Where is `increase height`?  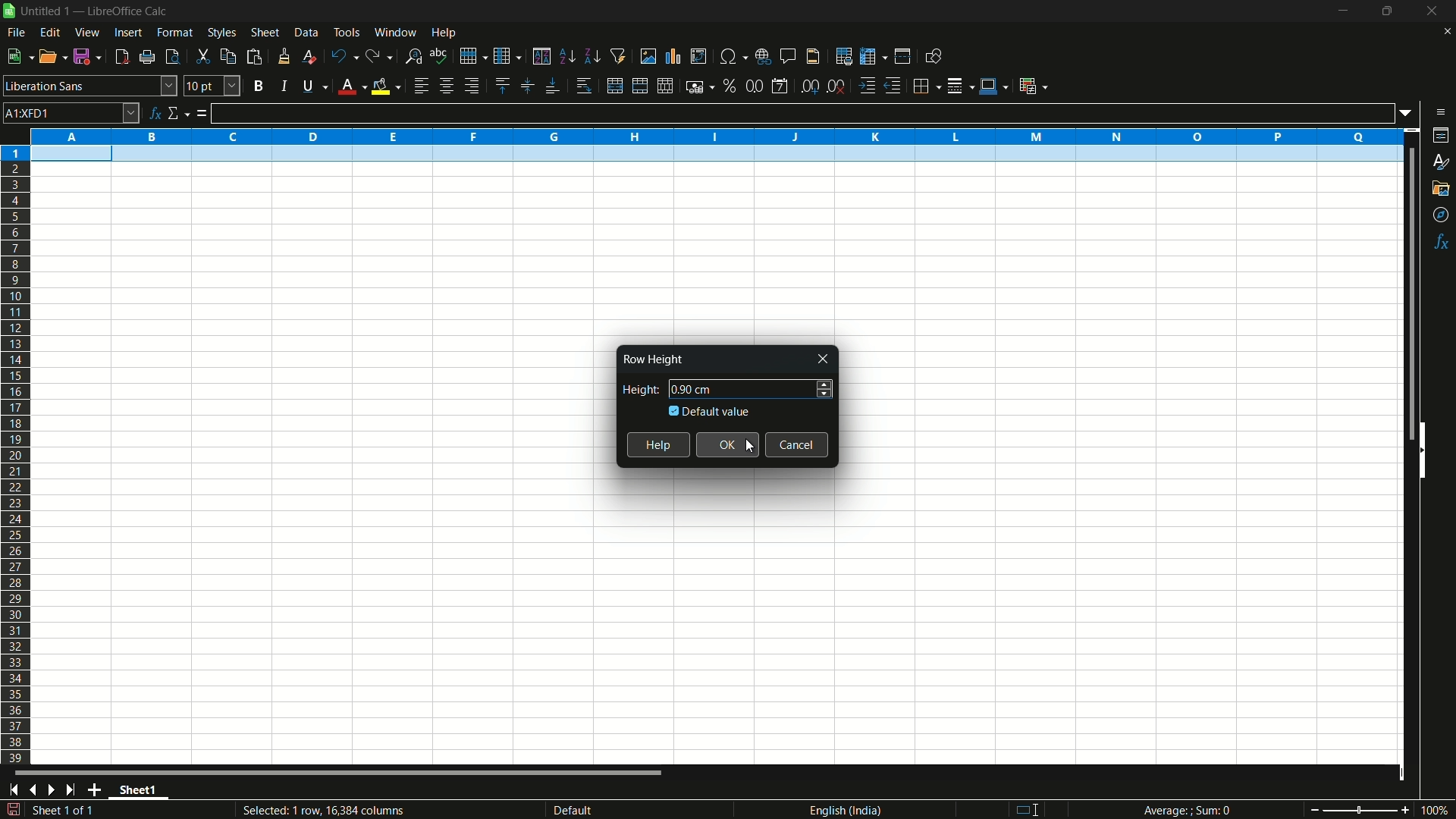 increase height is located at coordinates (825, 382).